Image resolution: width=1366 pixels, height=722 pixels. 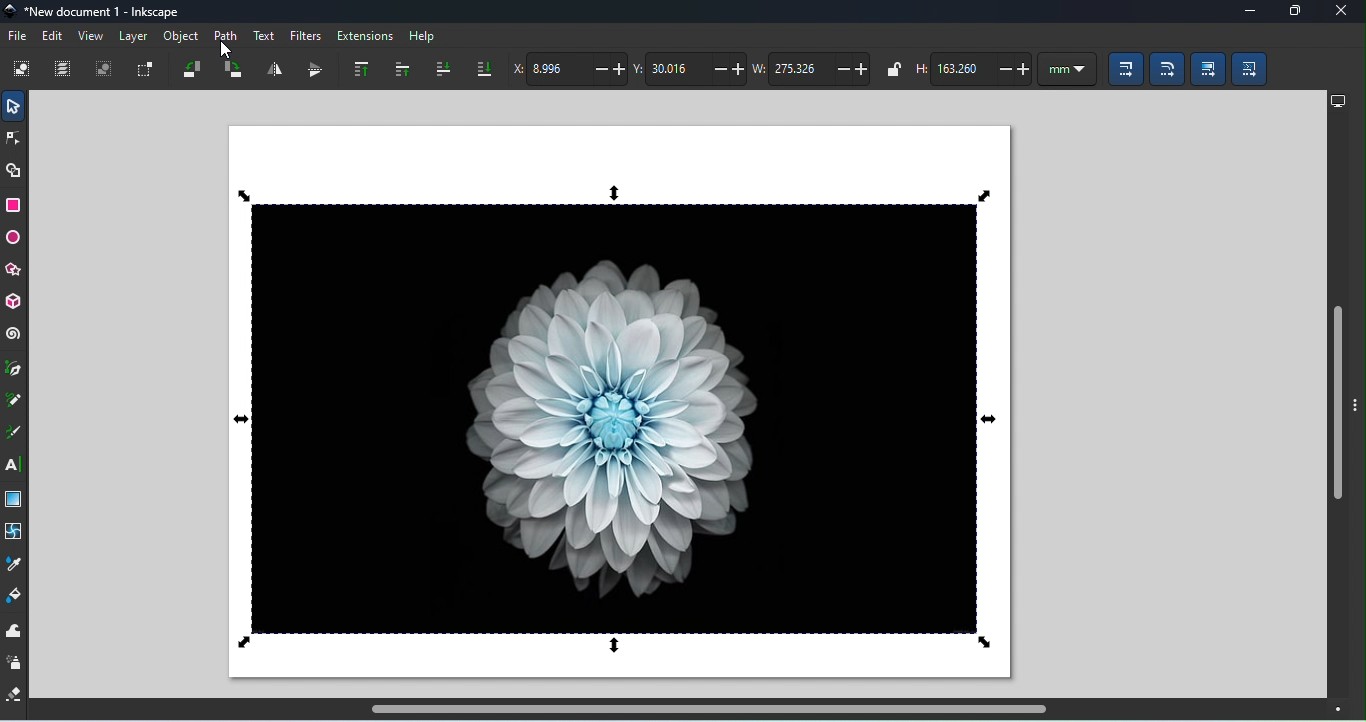 What do you see at coordinates (628, 402) in the screenshot?
I see `Canvas` at bounding box center [628, 402].